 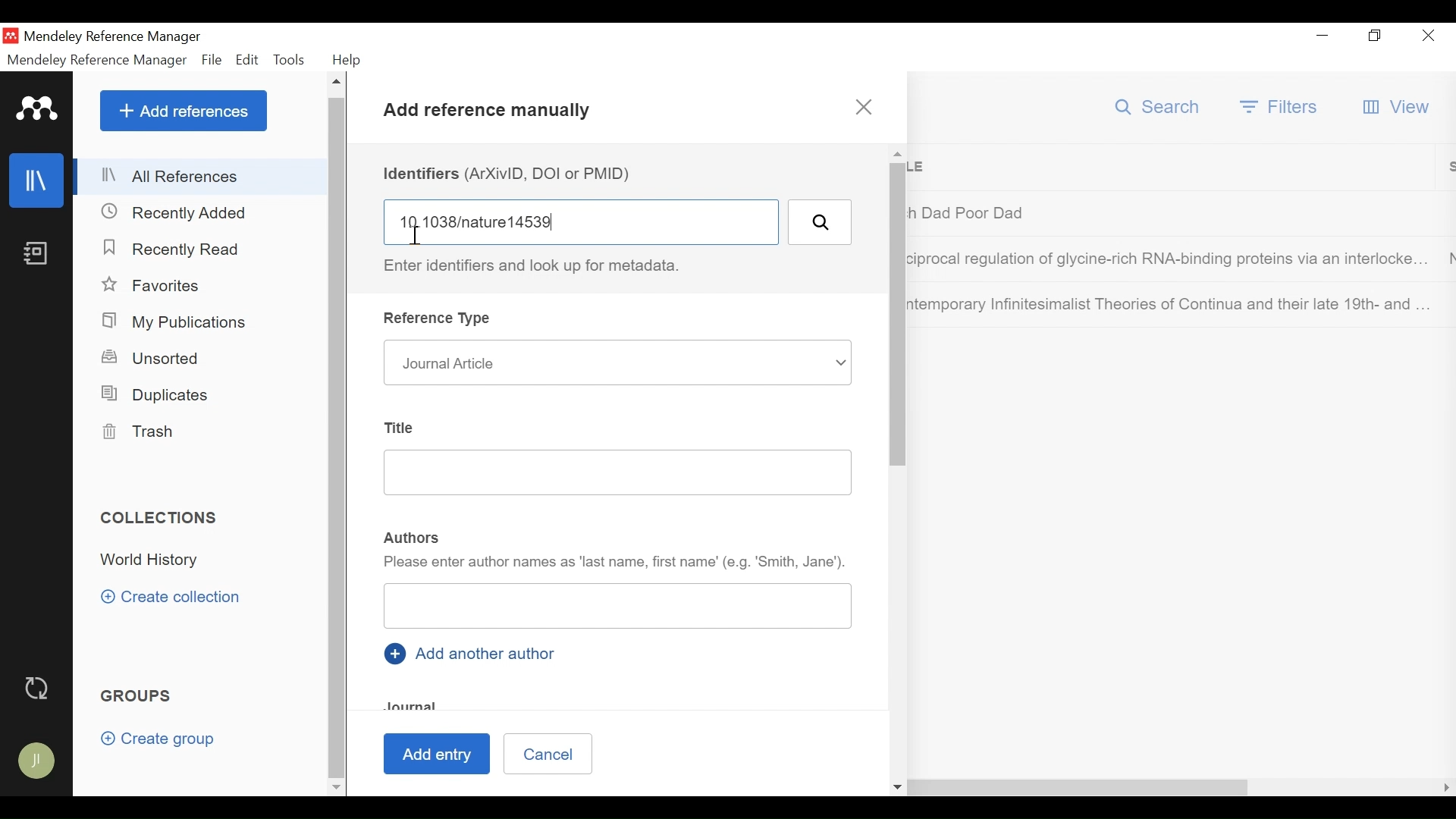 I want to click on Filter, so click(x=1280, y=108).